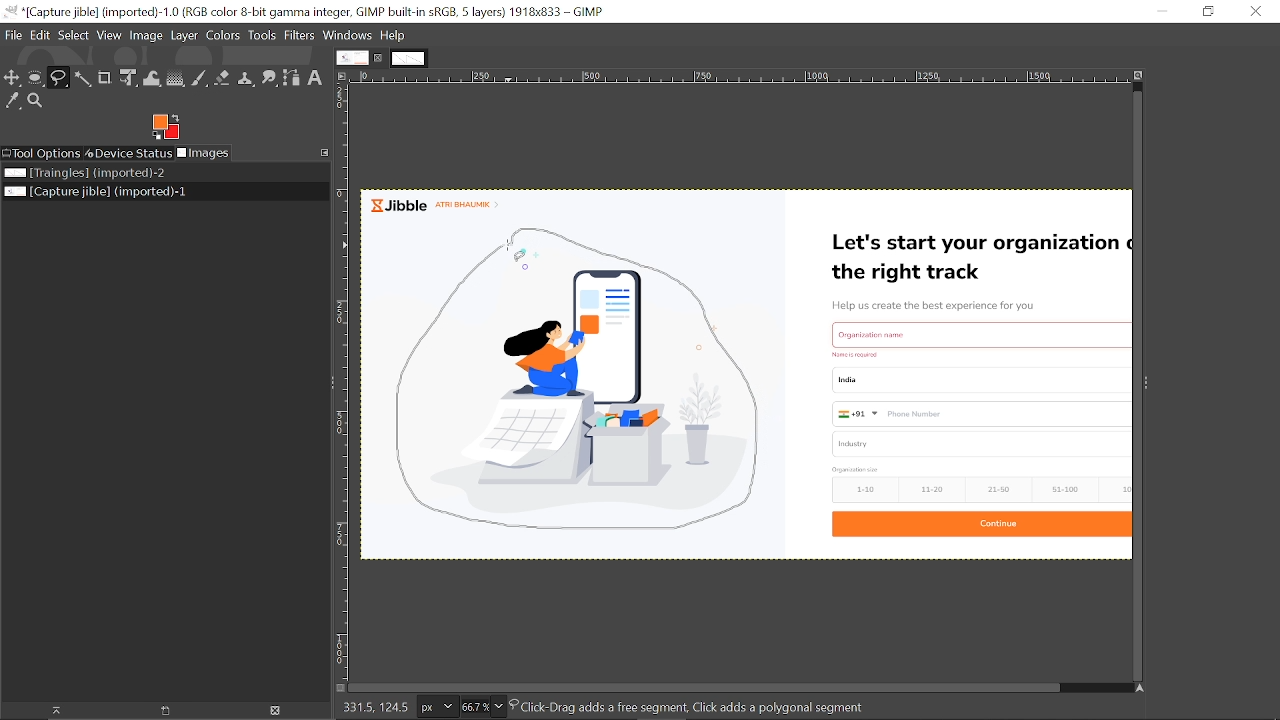 The height and width of the screenshot is (720, 1280). I want to click on Side bar menu, so click(1147, 390).